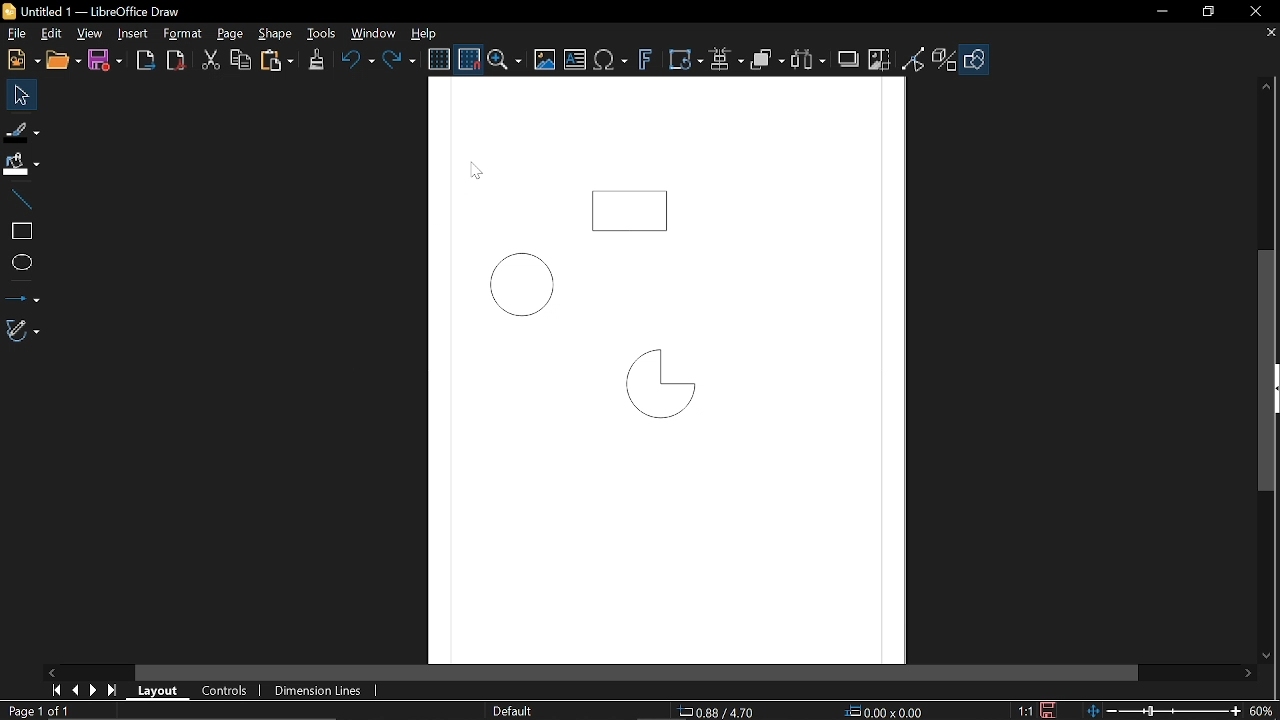 This screenshot has height=720, width=1280. Describe the element at coordinates (9, 10) in the screenshot. I see `Libreoffice Logo` at that location.